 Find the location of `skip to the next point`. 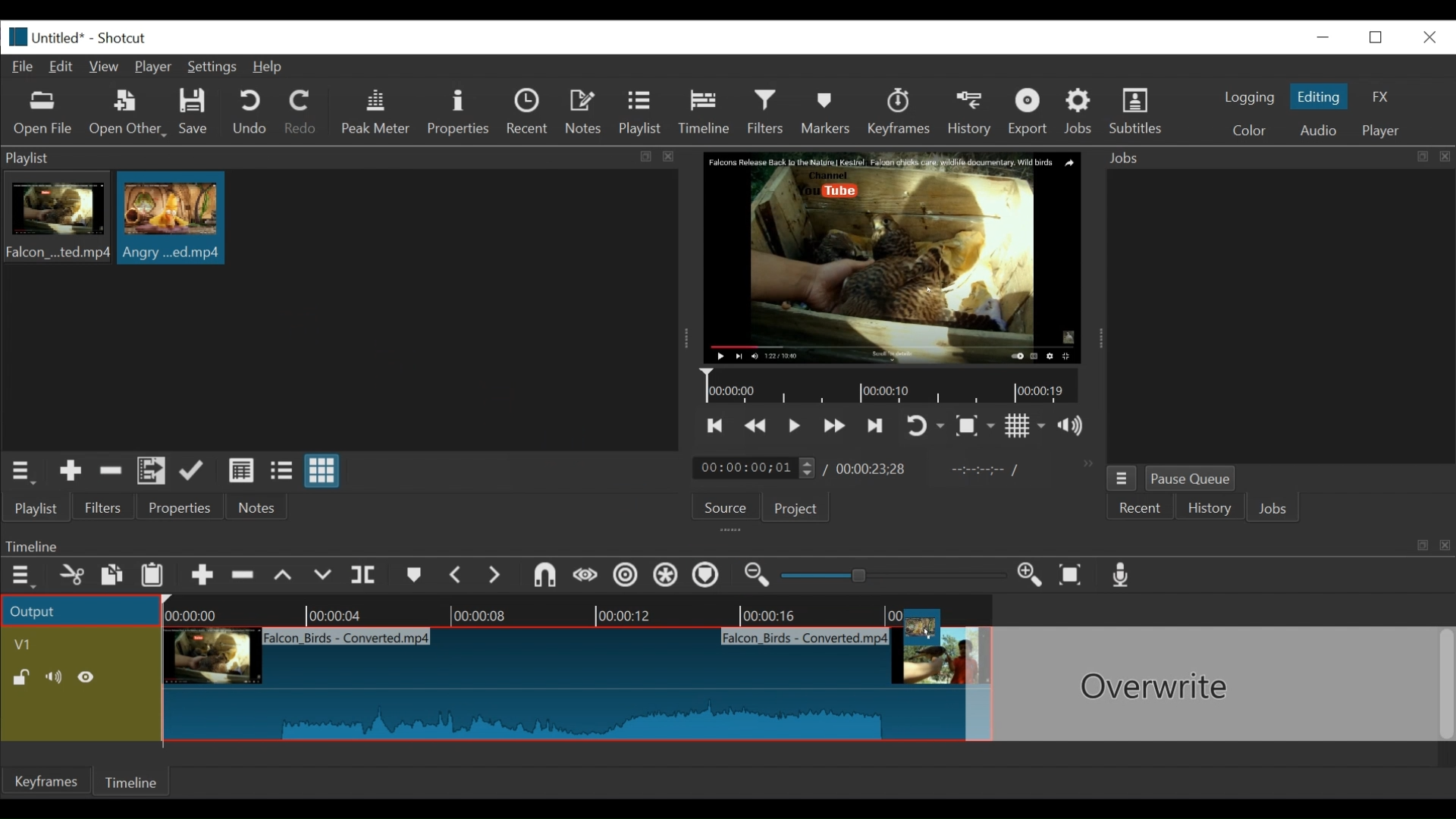

skip to the next point is located at coordinates (877, 425).